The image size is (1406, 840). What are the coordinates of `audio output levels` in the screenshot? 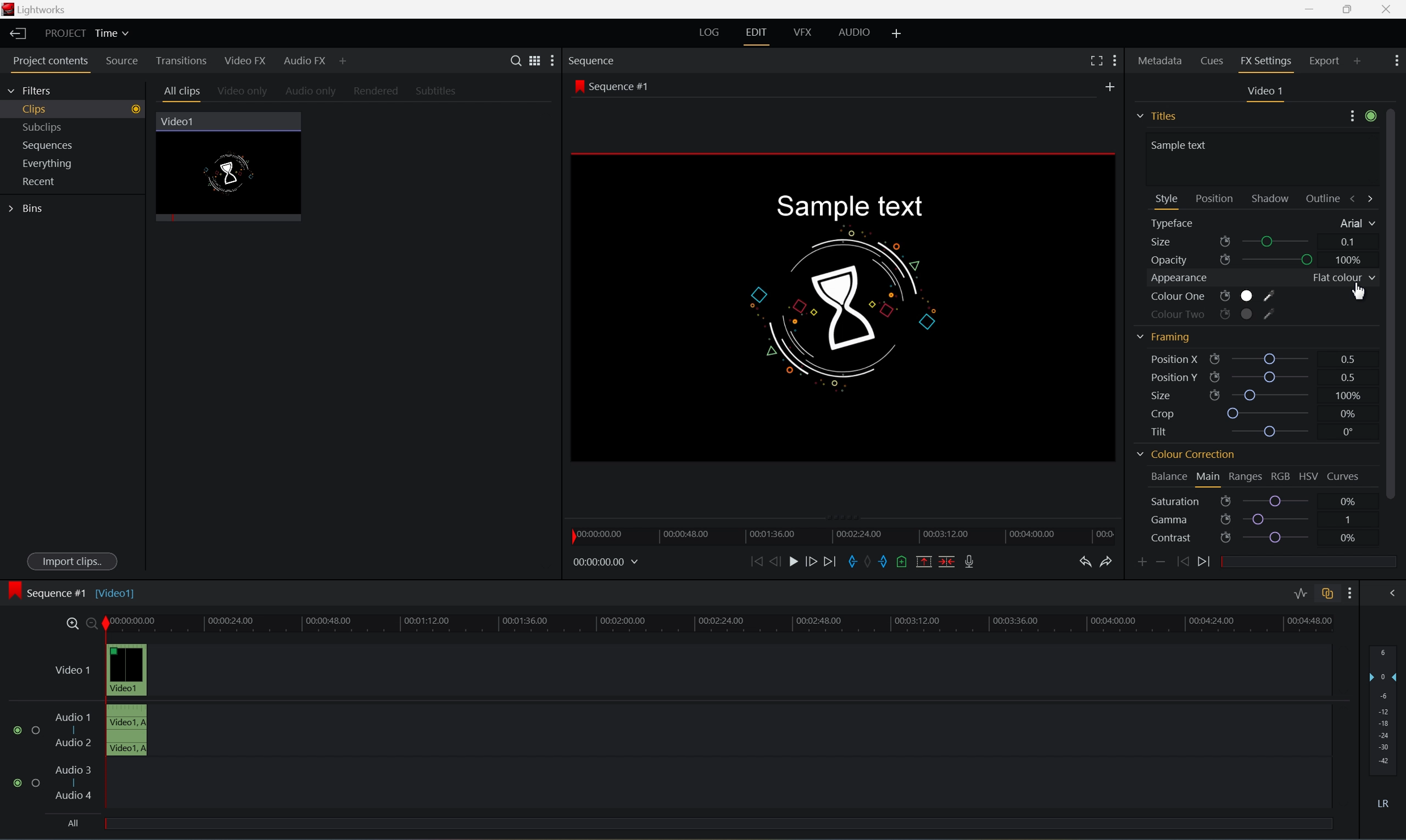 It's located at (1386, 704).